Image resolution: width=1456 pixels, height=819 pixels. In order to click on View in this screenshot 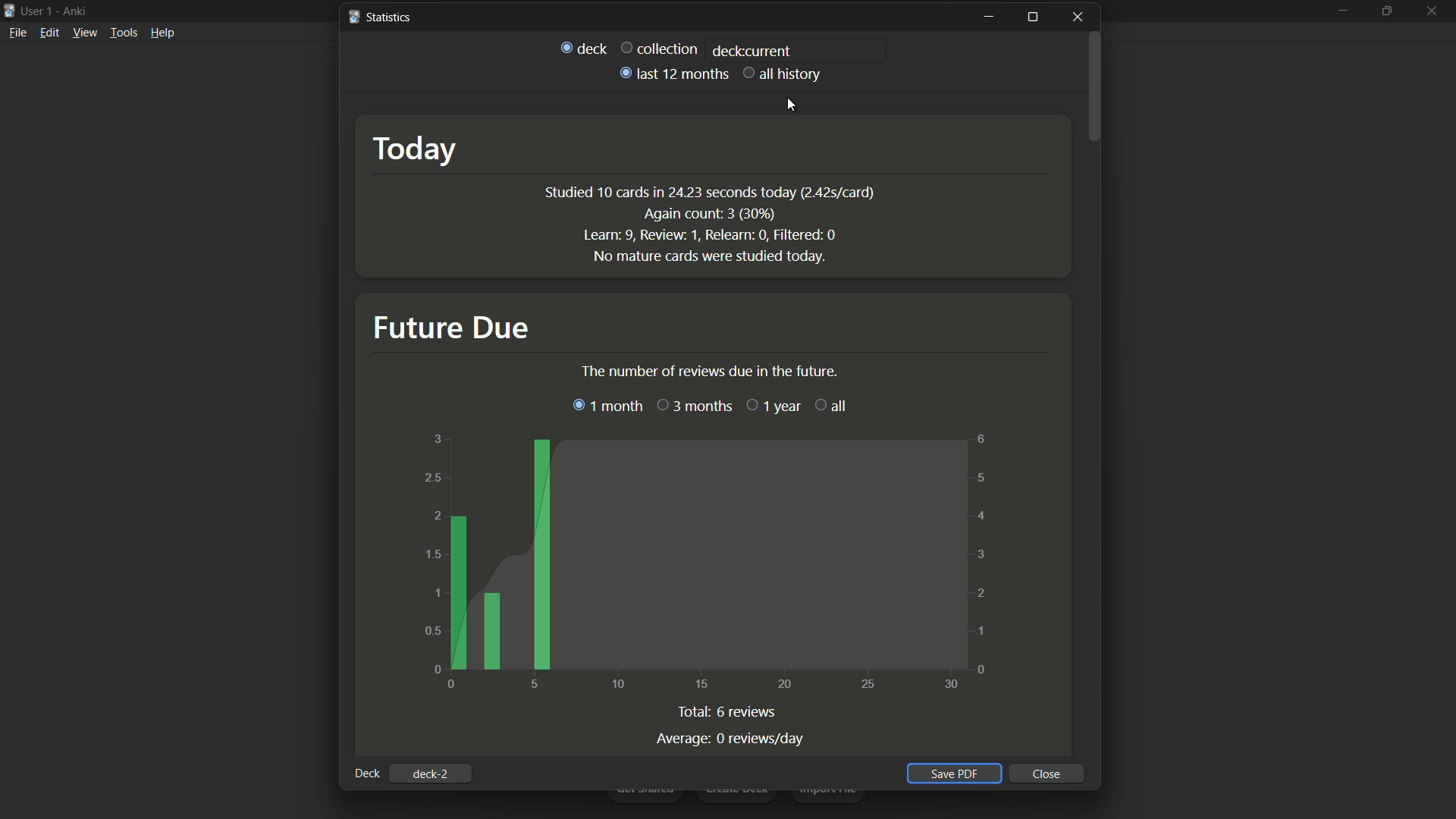, I will do `click(85, 36)`.